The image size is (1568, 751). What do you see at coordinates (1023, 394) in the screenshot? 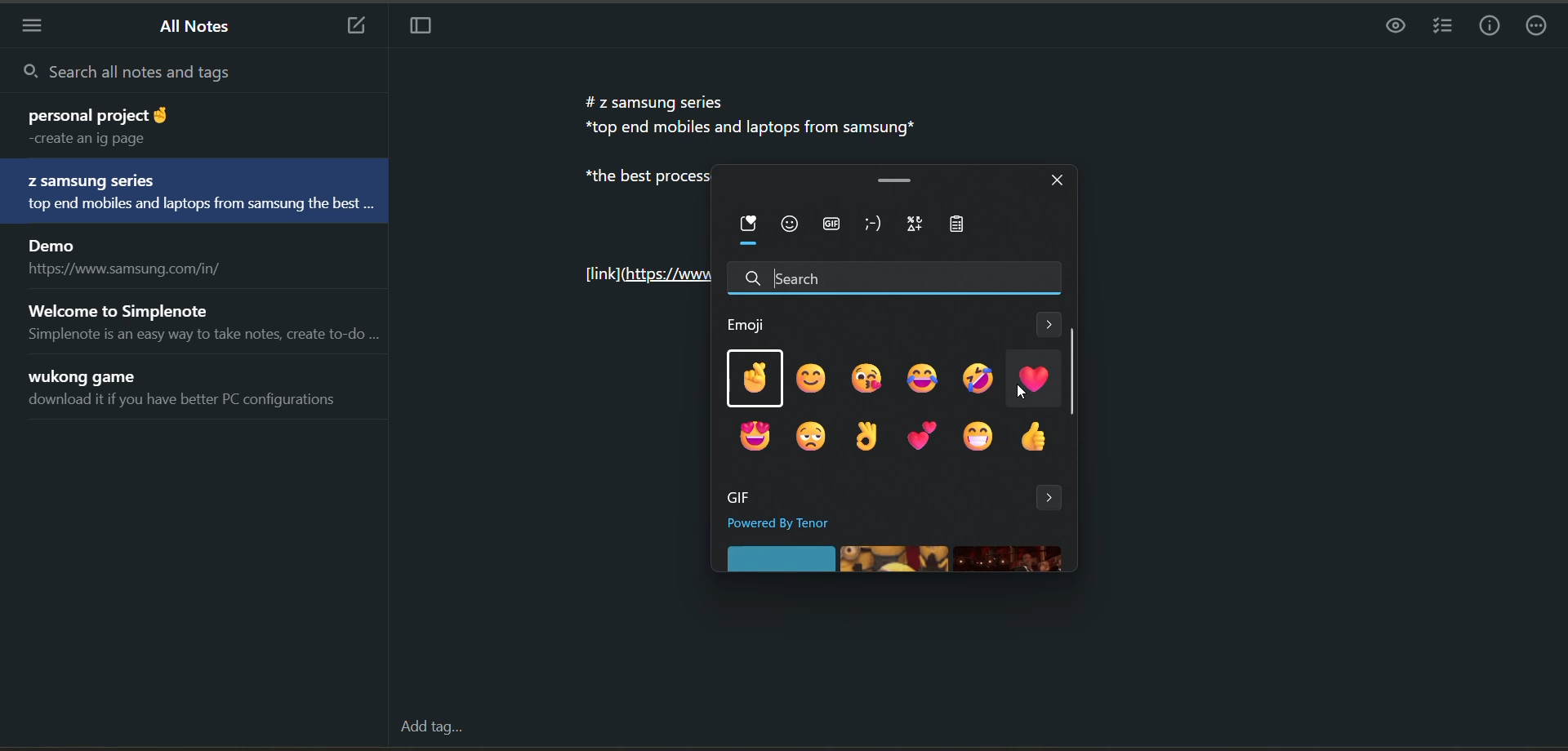
I see `cursor` at bounding box center [1023, 394].